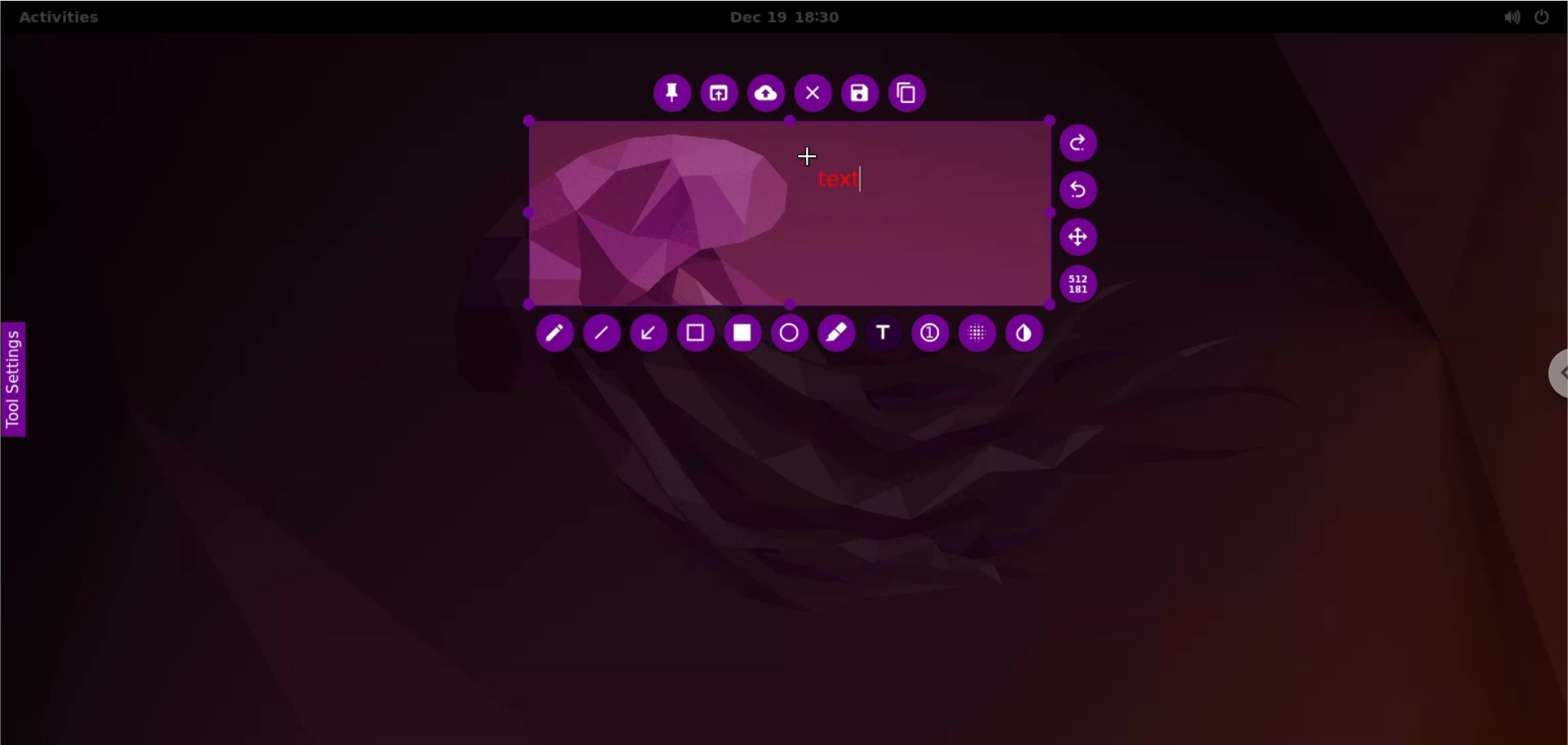 This screenshot has height=745, width=1568. I want to click on tool settings, so click(24, 384).